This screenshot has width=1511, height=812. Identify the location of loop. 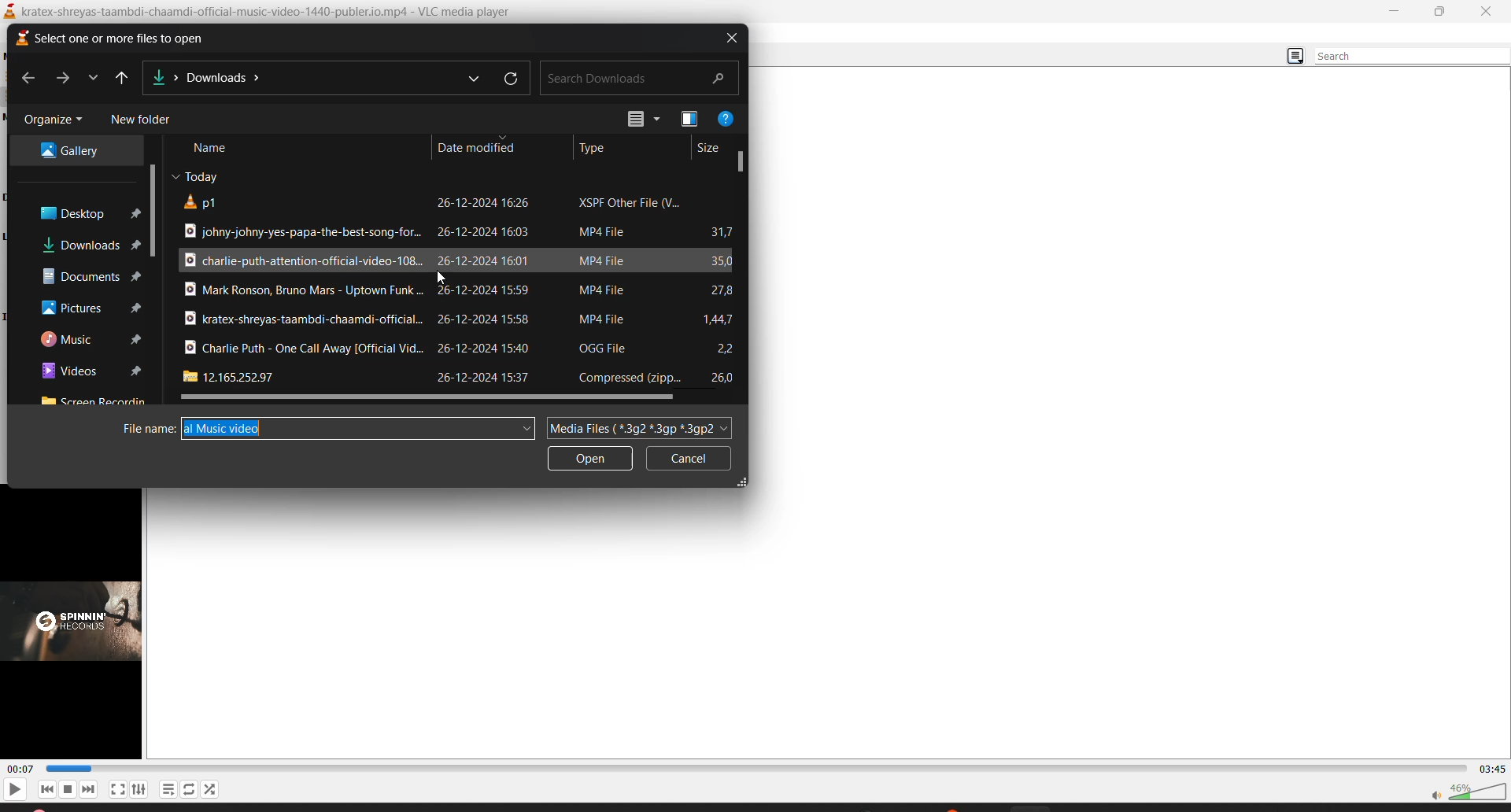
(185, 789).